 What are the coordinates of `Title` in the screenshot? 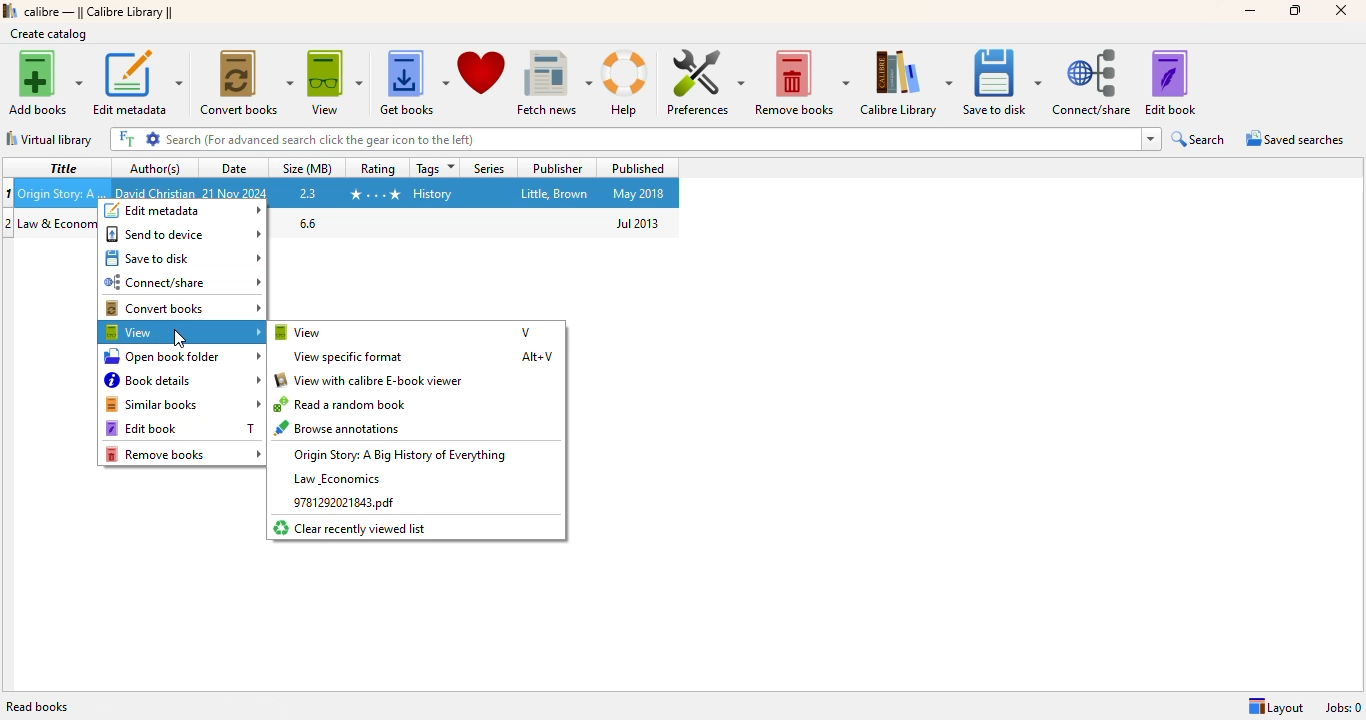 It's located at (58, 224).